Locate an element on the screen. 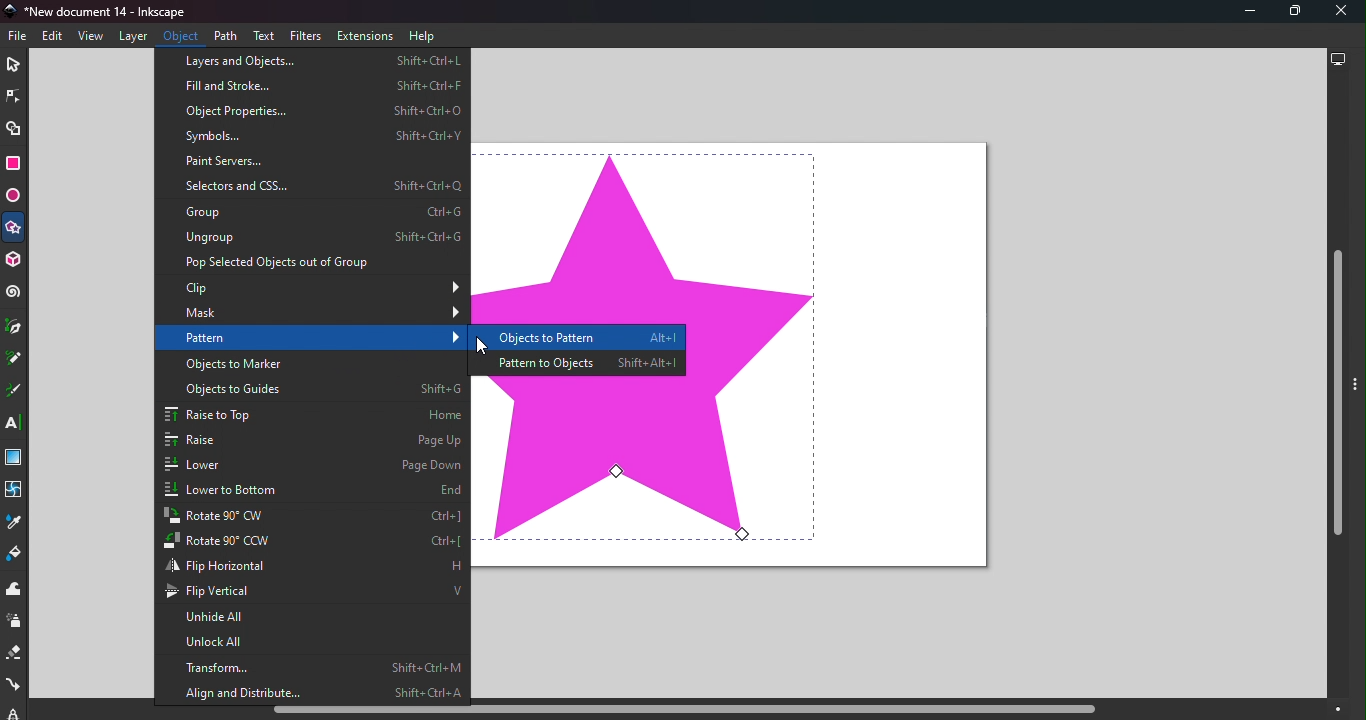  Object is located at coordinates (180, 37).